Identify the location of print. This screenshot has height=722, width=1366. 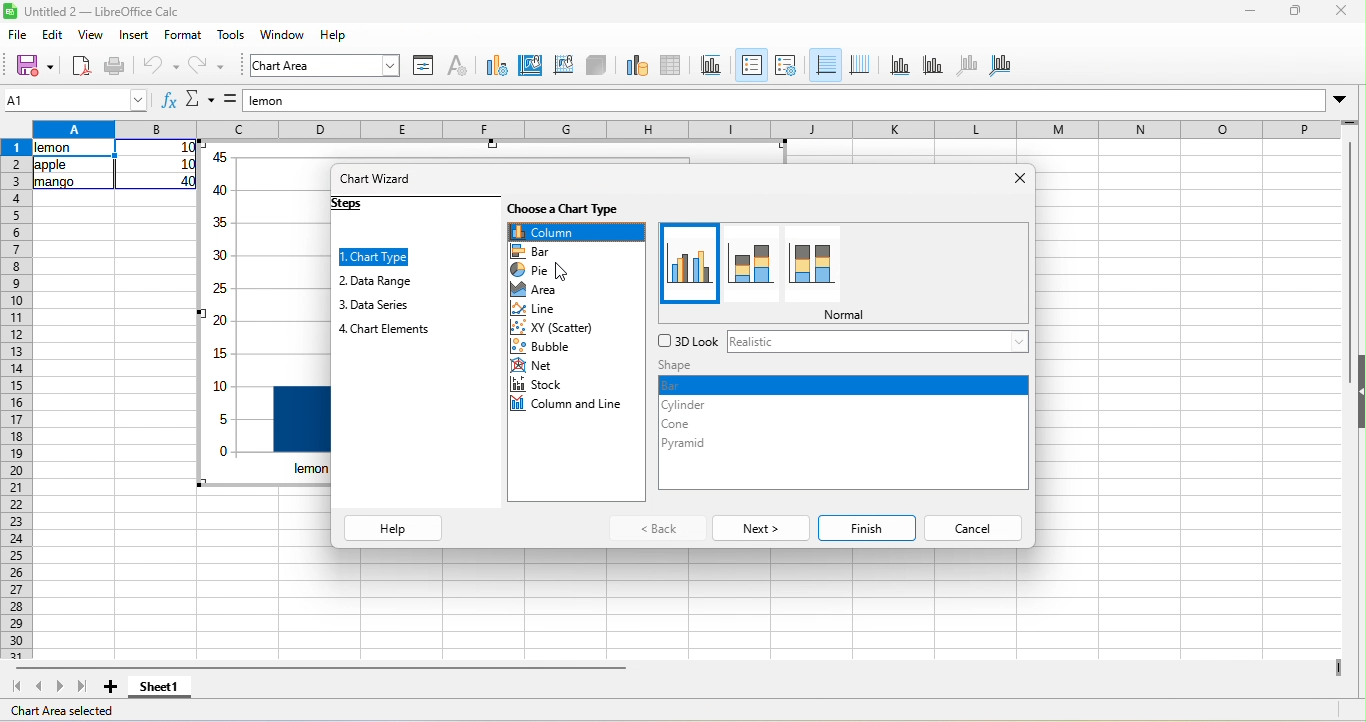
(117, 65).